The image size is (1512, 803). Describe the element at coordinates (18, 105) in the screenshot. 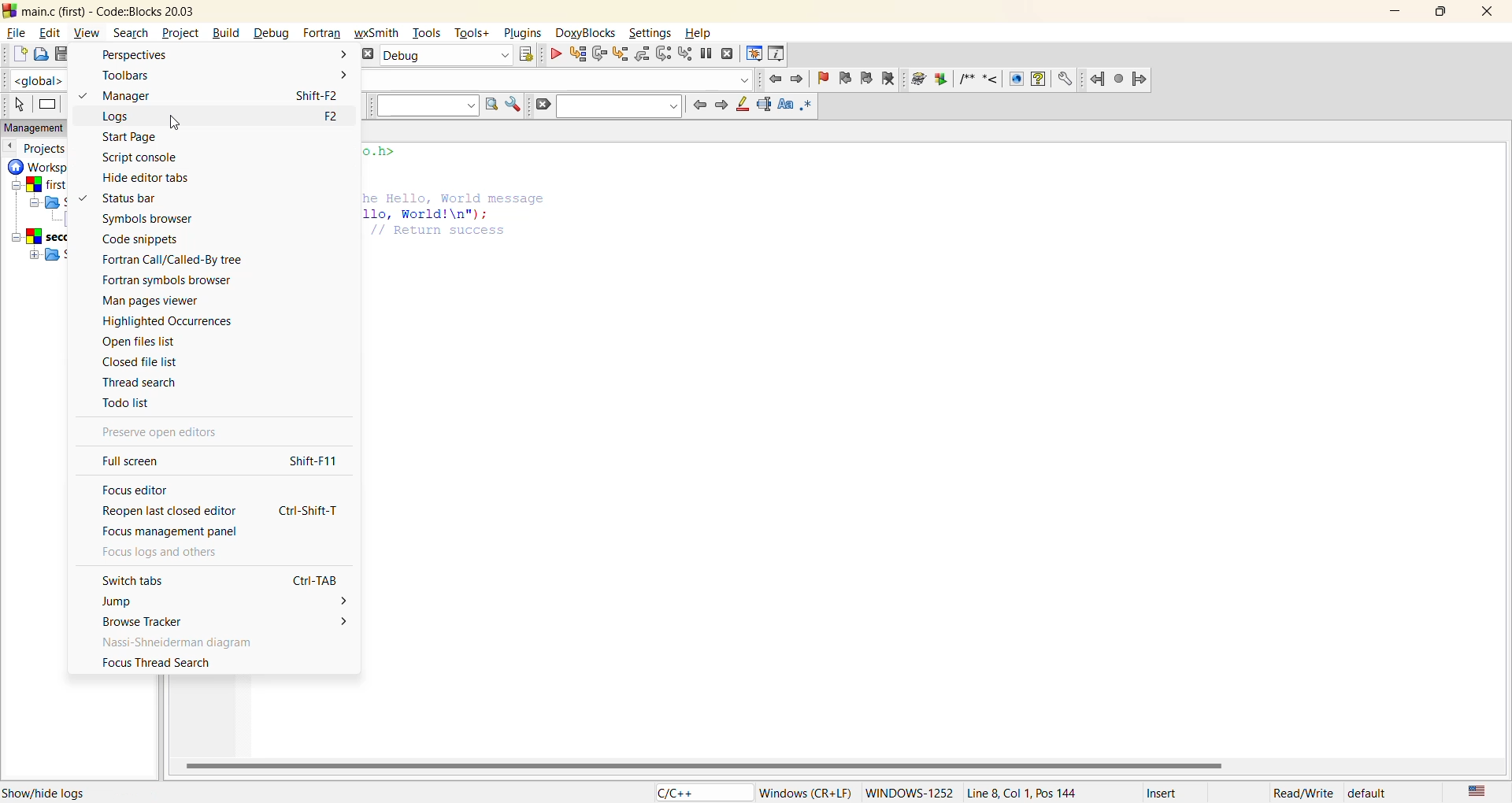

I see `select` at that location.